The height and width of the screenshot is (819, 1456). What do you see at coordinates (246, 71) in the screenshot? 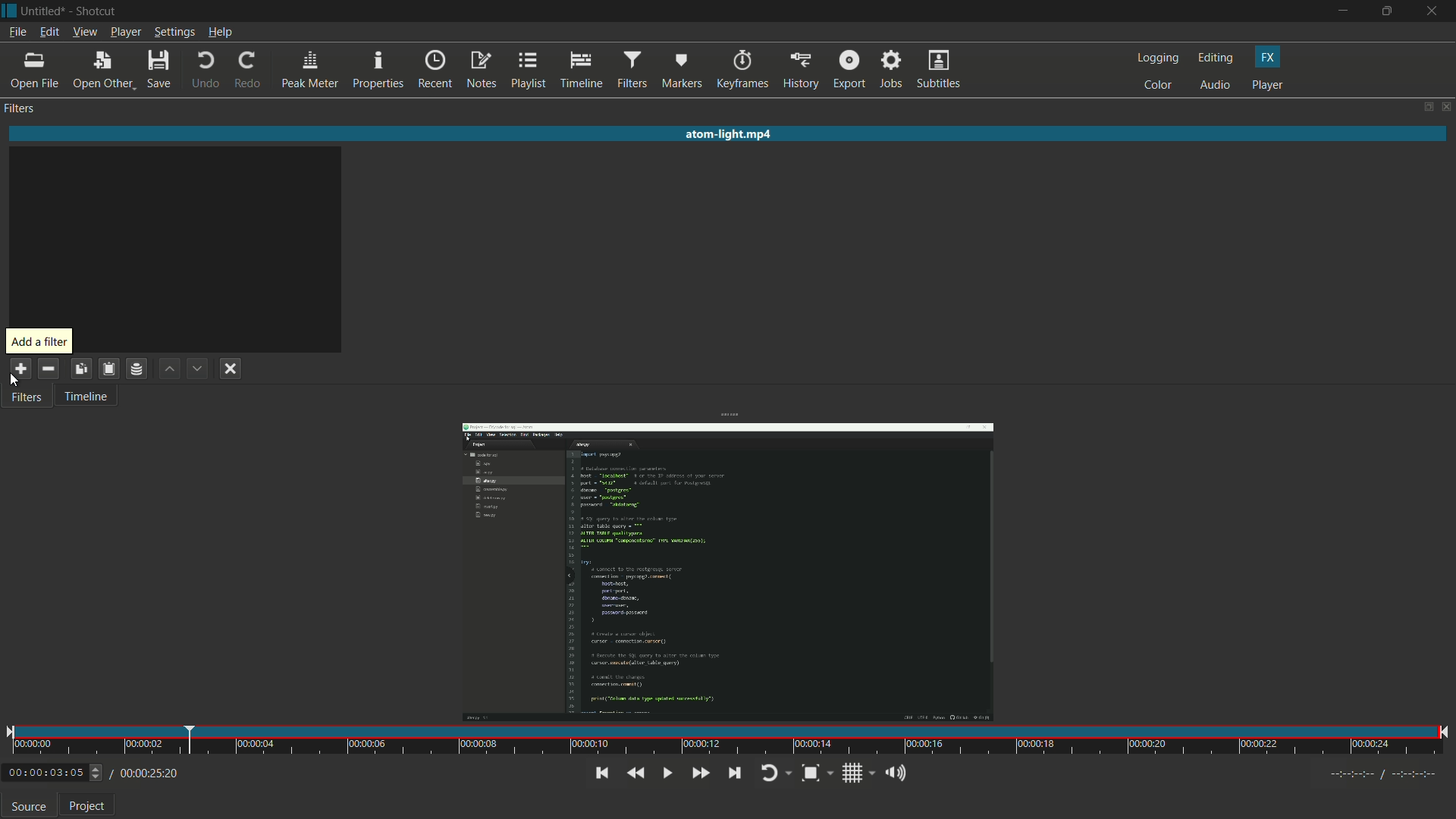
I see `redo` at bounding box center [246, 71].